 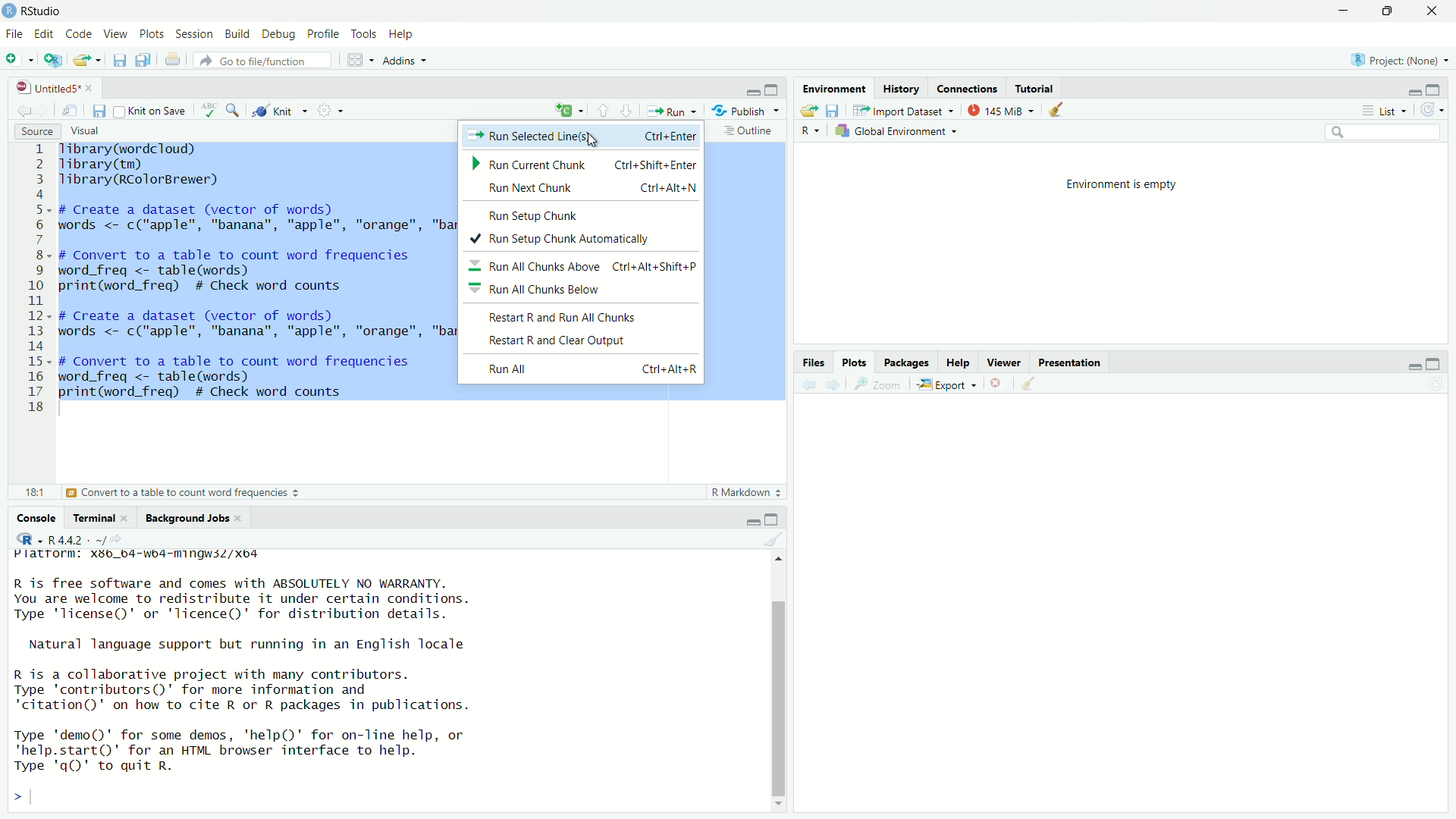 What do you see at coordinates (89, 132) in the screenshot?
I see `Visual` at bounding box center [89, 132].